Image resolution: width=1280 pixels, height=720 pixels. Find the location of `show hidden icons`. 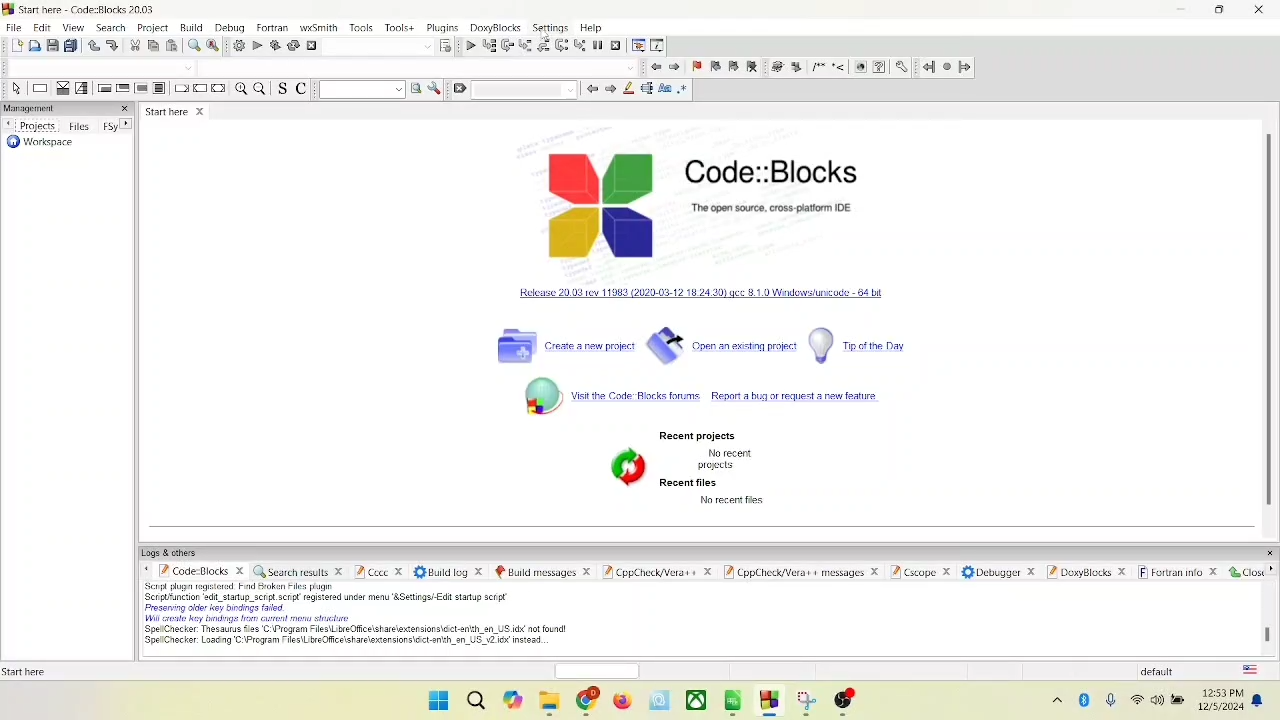

show hidden icons is located at coordinates (1056, 704).